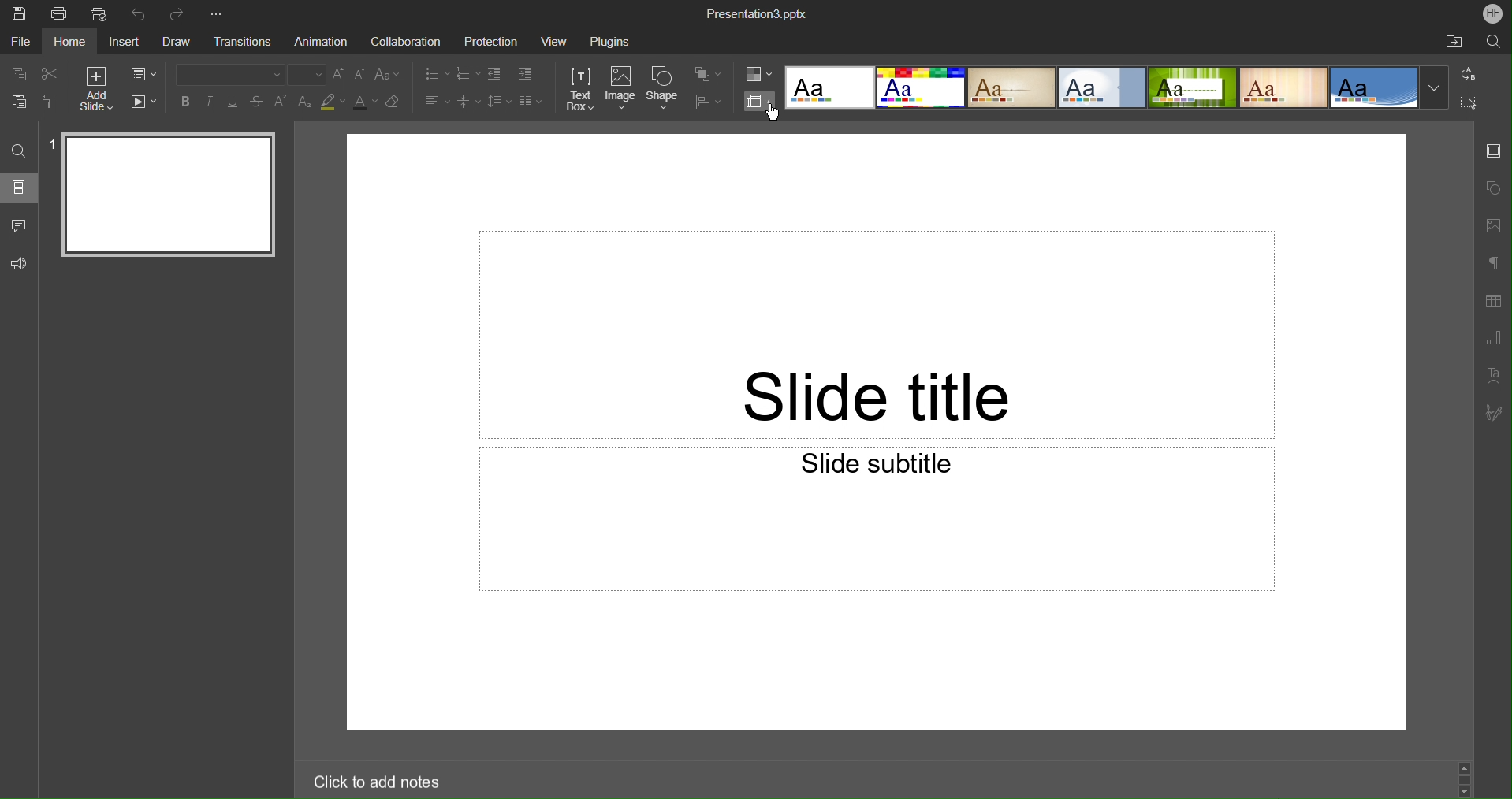 The height and width of the screenshot is (799, 1512). Describe the element at coordinates (258, 102) in the screenshot. I see `Strikethrough` at that location.